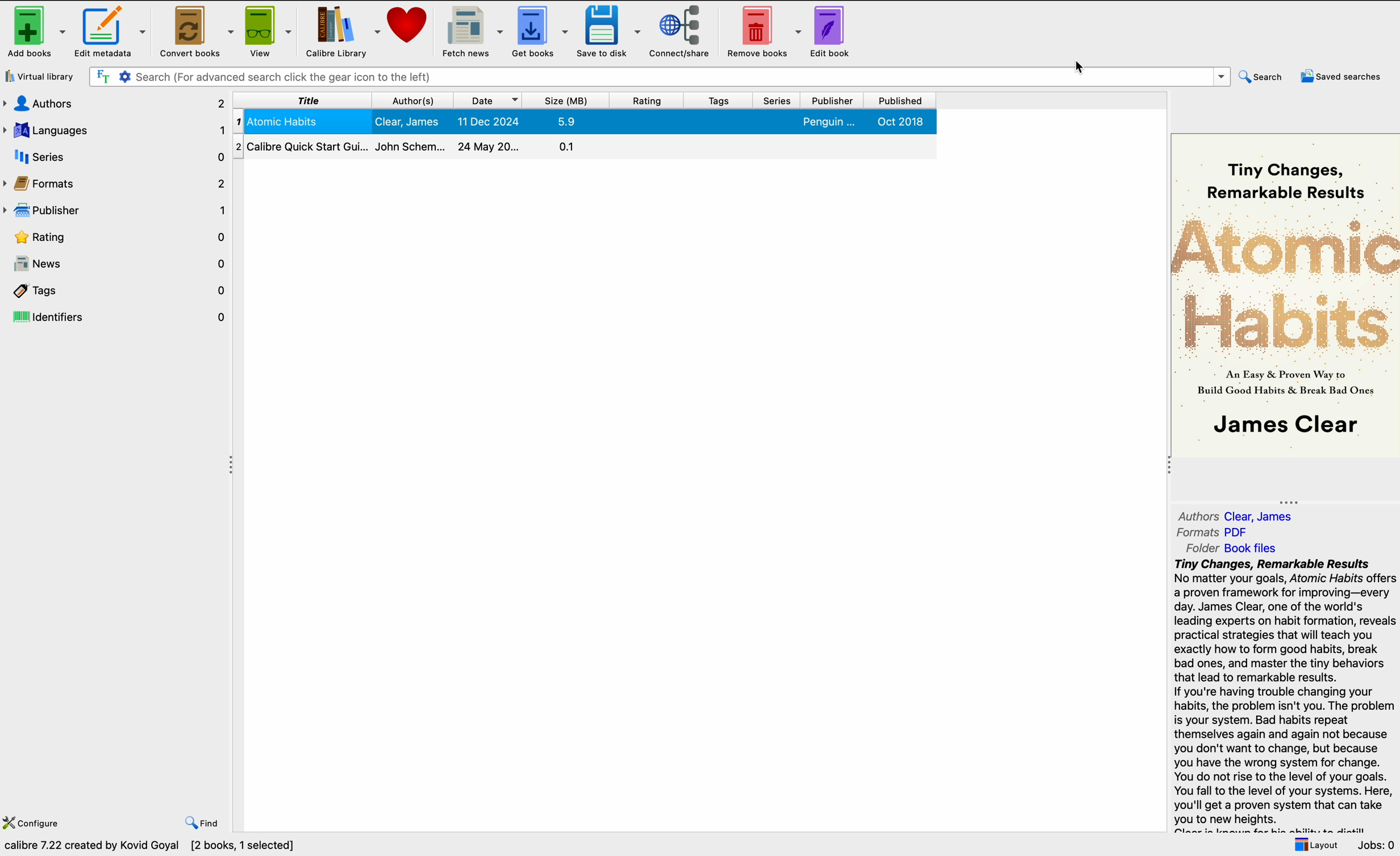  What do you see at coordinates (1238, 516) in the screenshot?
I see `authors` at bounding box center [1238, 516].